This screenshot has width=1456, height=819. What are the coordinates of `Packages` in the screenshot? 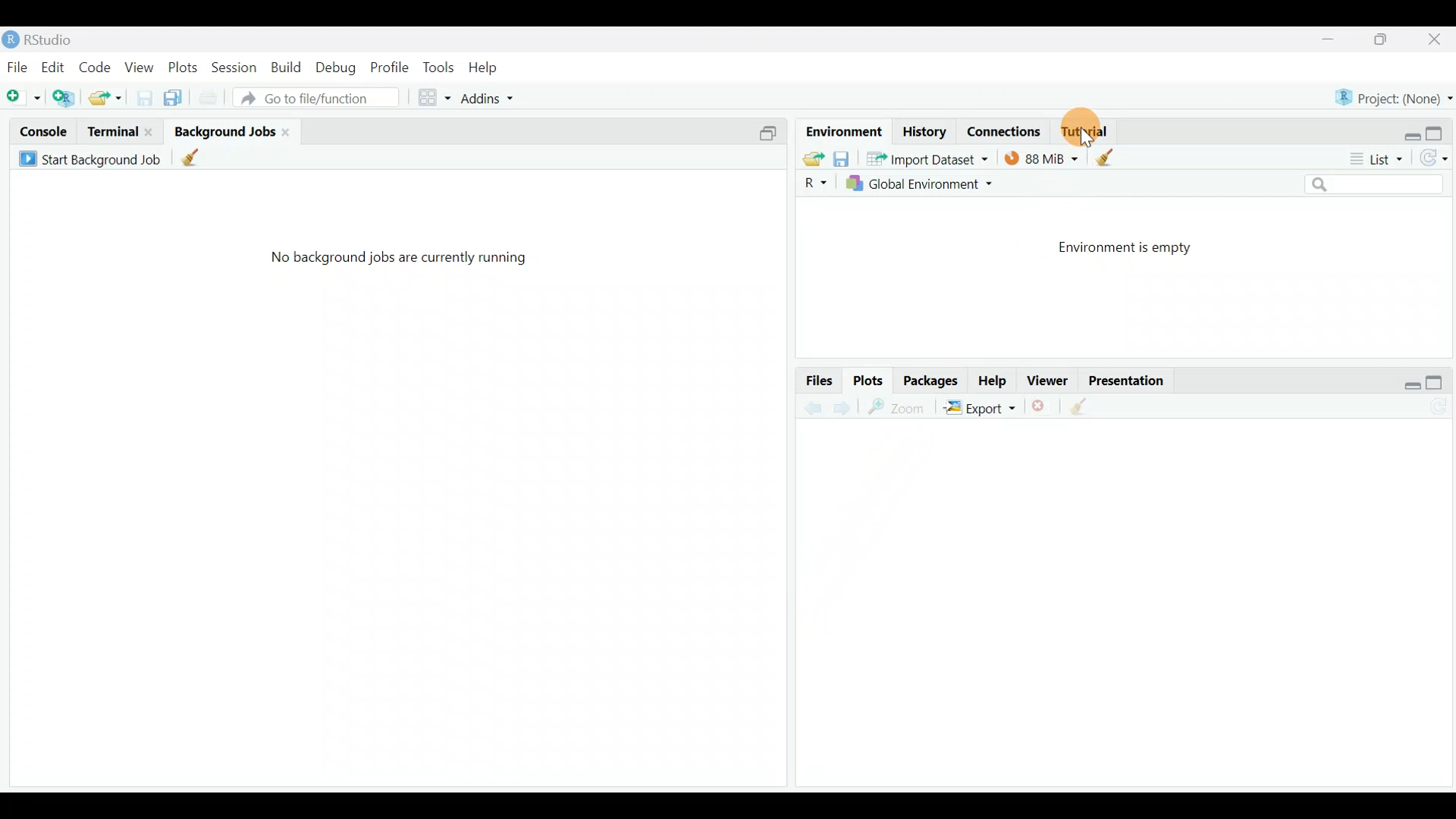 It's located at (931, 380).